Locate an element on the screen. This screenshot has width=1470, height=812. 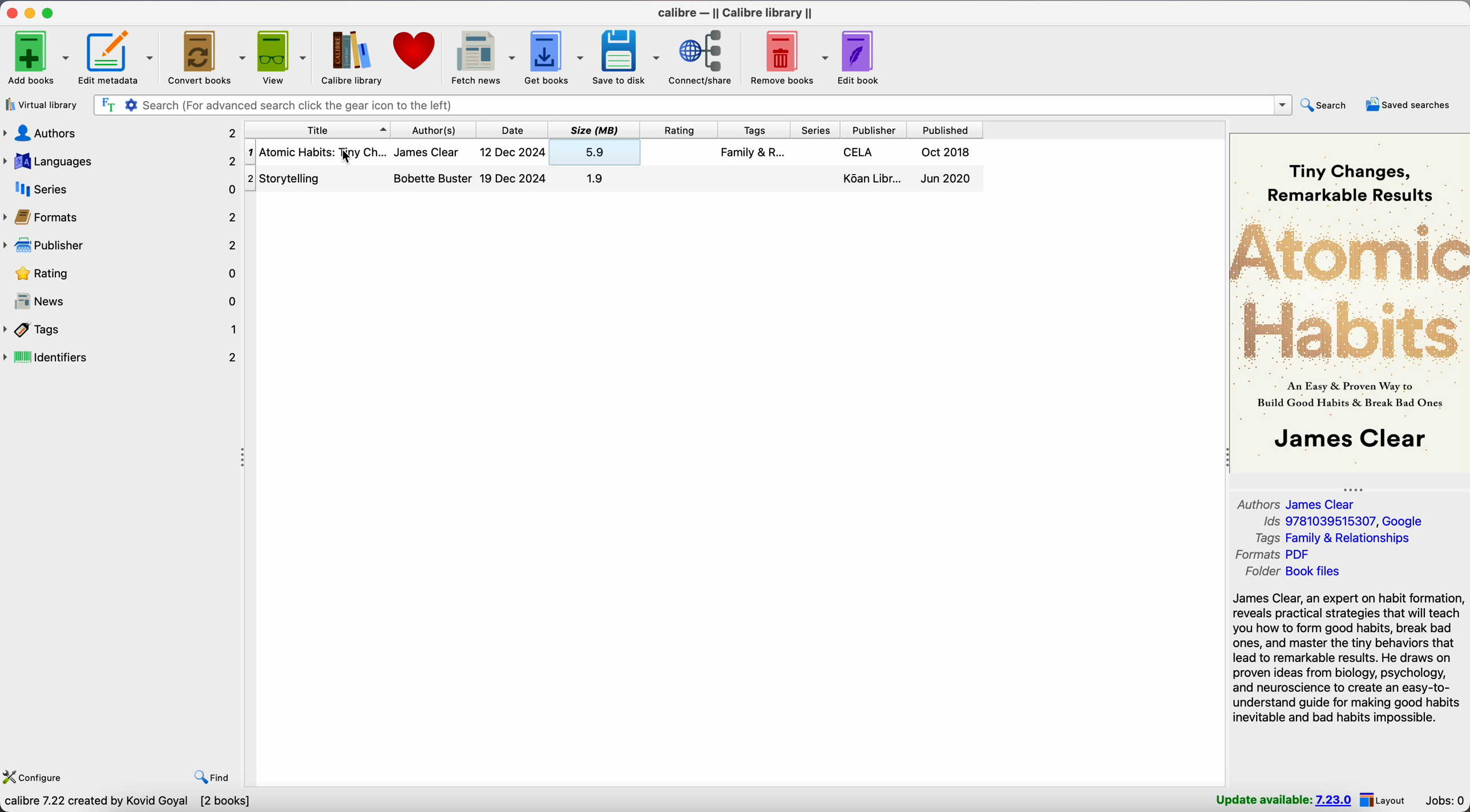
news is located at coordinates (127, 302).